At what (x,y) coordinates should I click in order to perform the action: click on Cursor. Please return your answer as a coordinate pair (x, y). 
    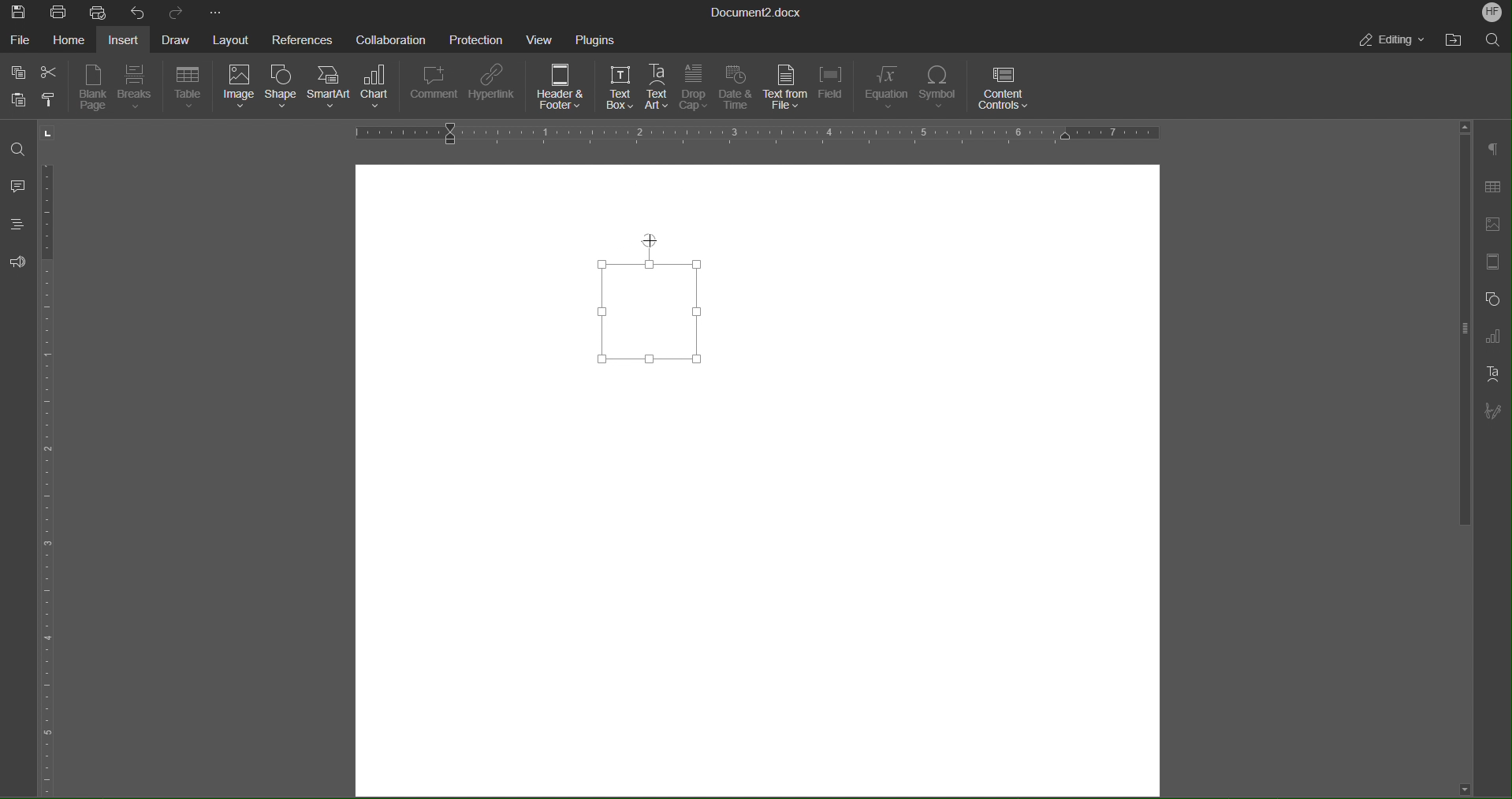
    Looking at the image, I should click on (648, 243).